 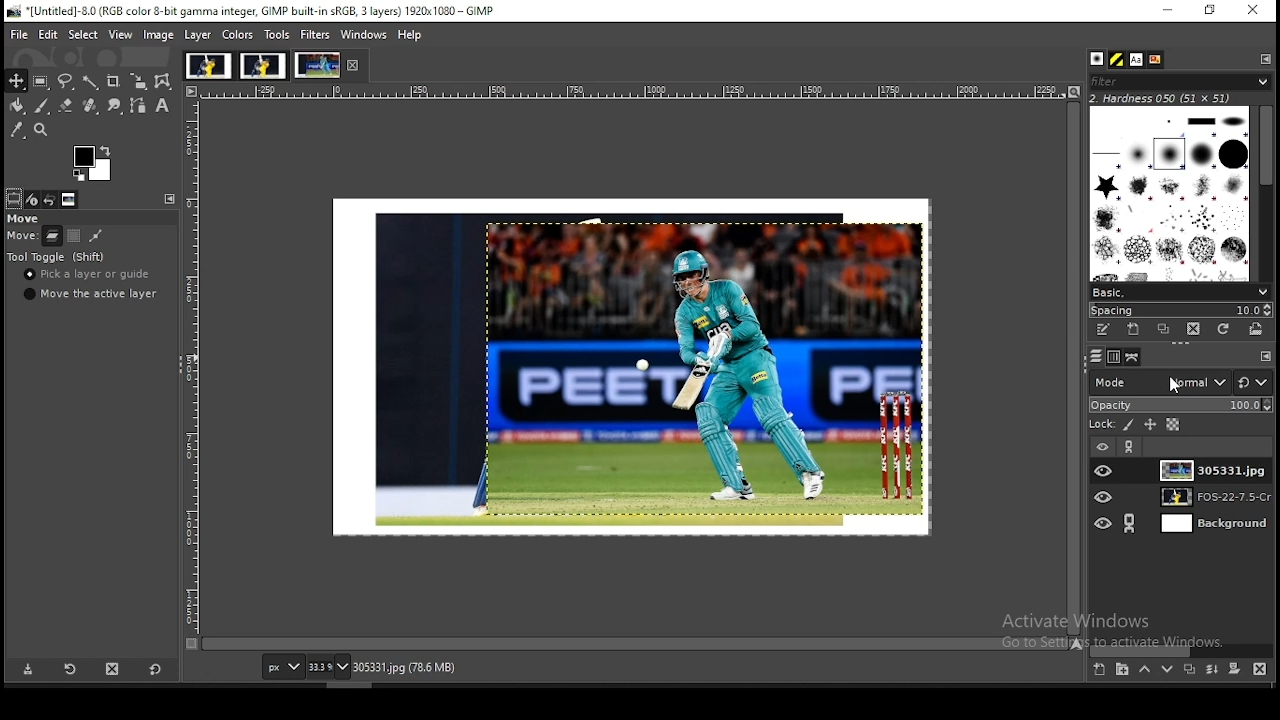 I want to click on image, so click(x=159, y=35).